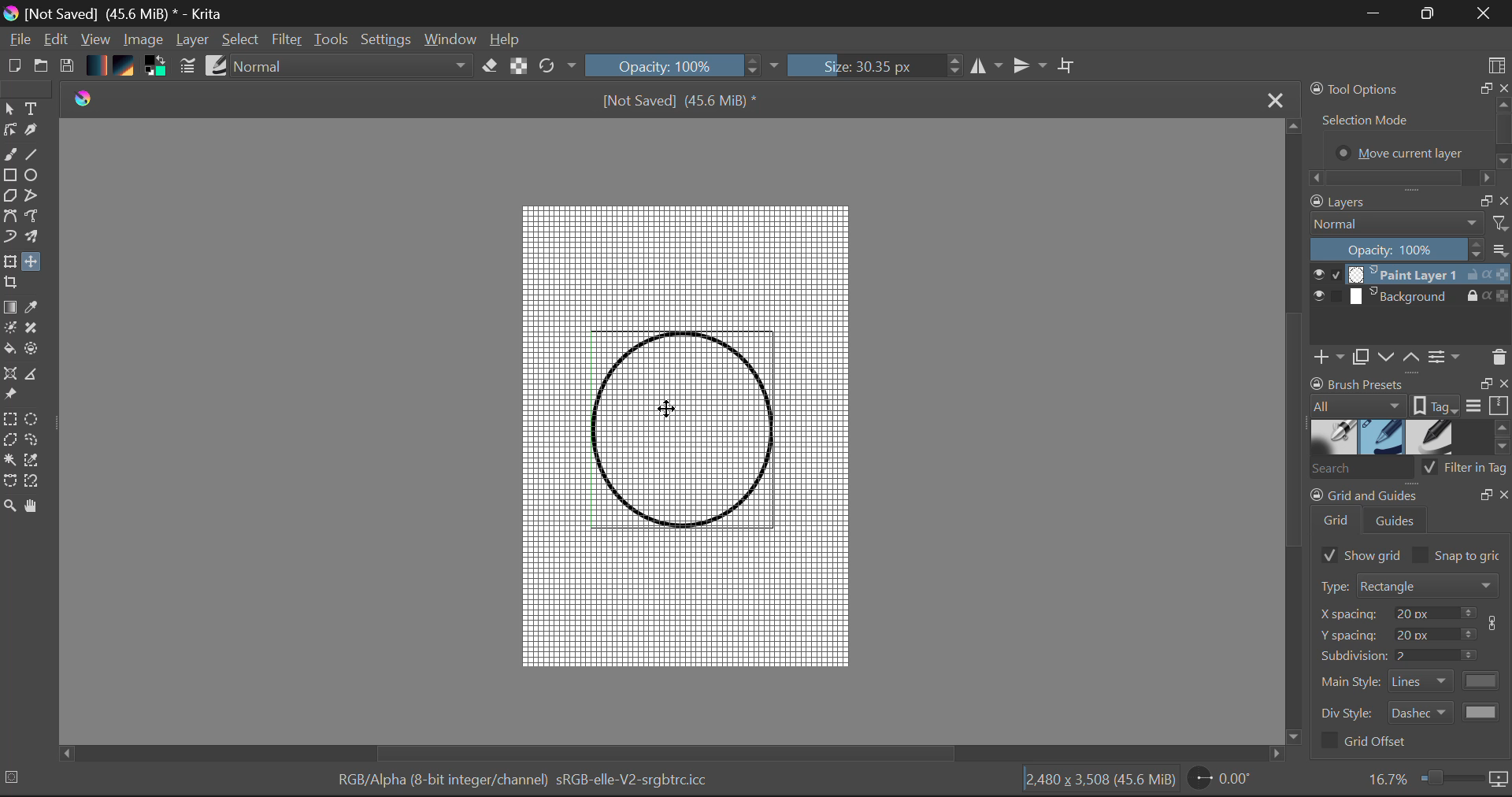 Image resolution: width=1512 pixels, height=797 pixels. I want to click on Lock Alpha, so click(518, 67).